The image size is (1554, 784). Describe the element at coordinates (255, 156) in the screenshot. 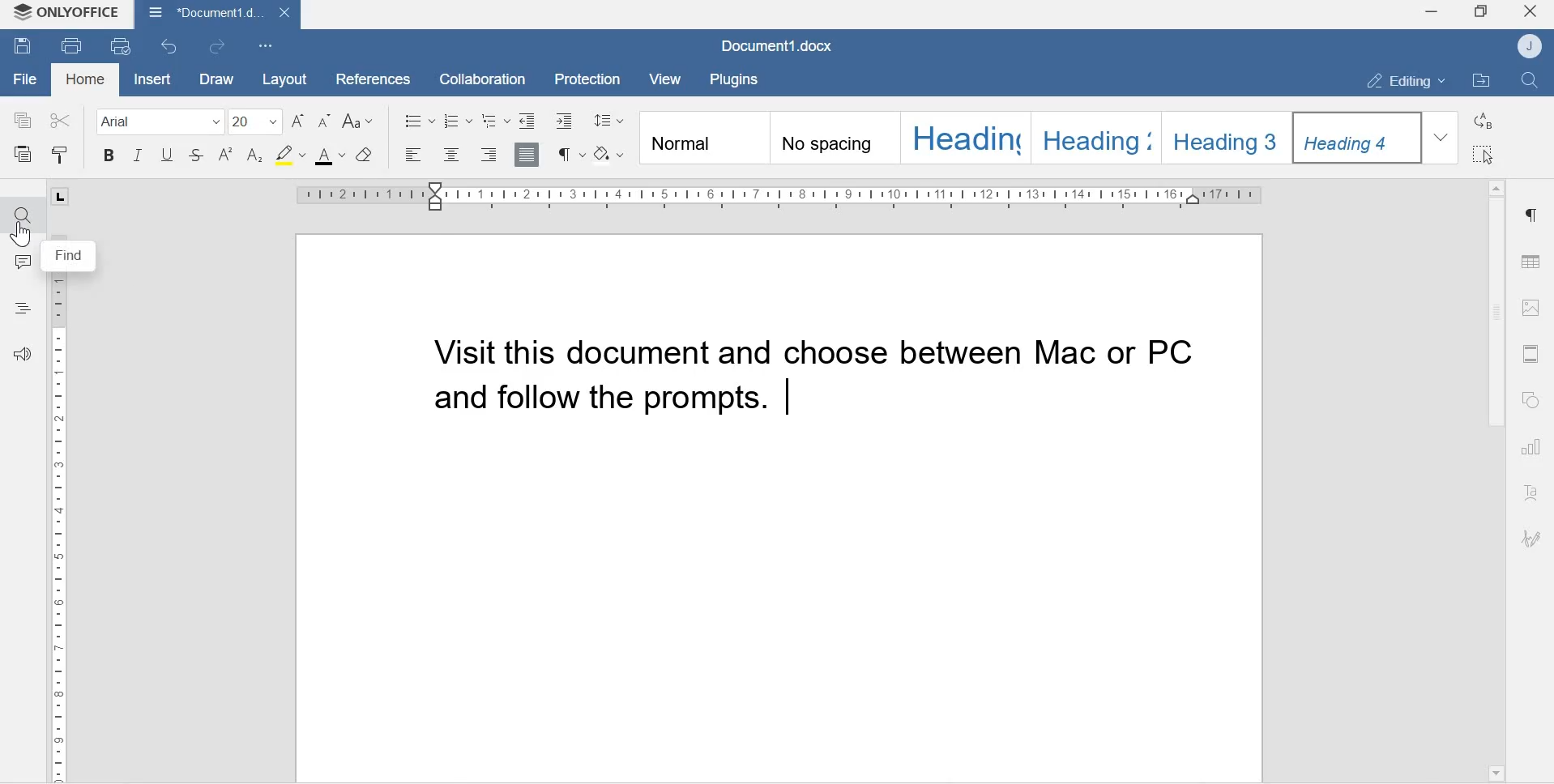

I see `Subscript` at that location.